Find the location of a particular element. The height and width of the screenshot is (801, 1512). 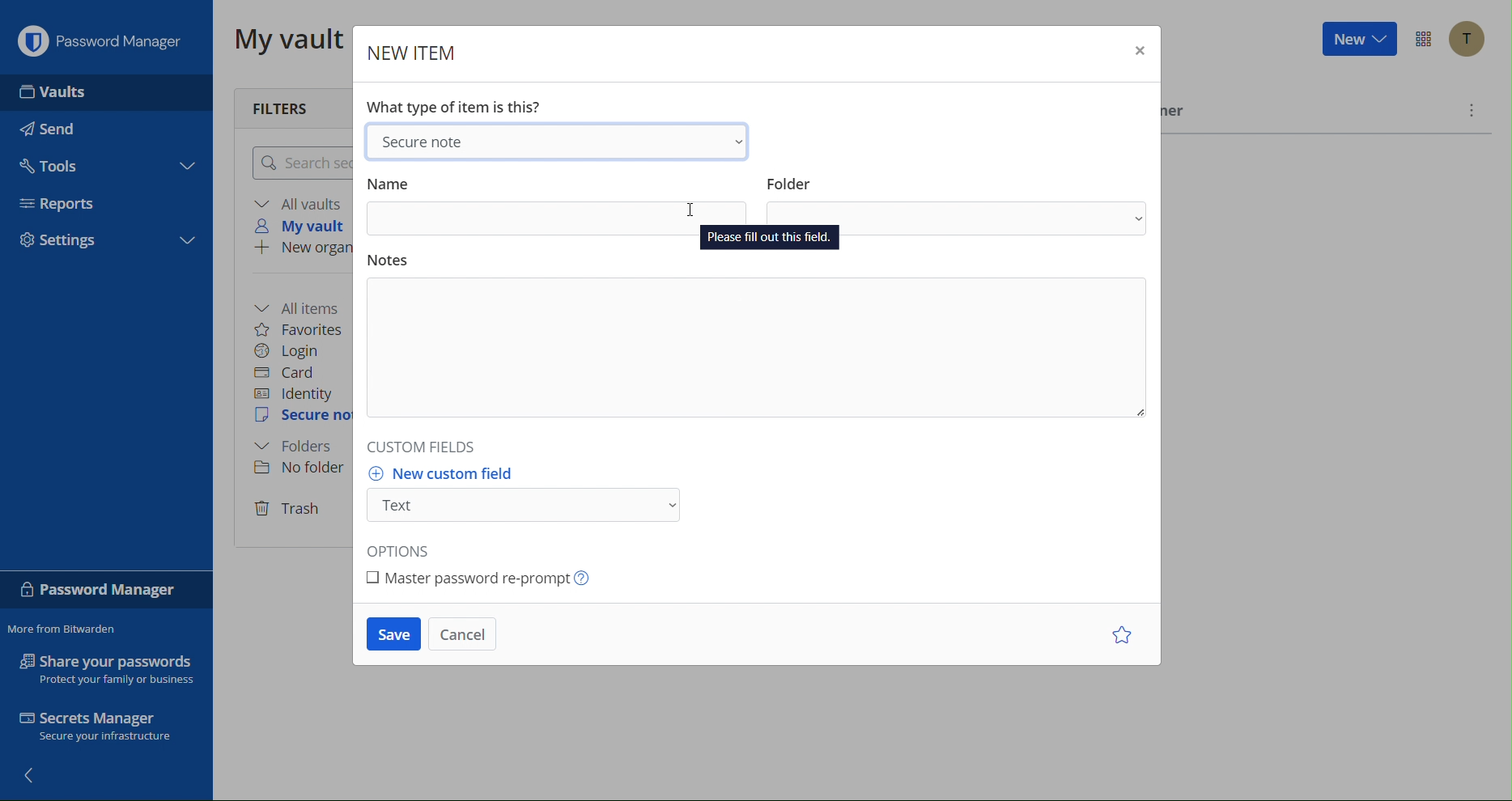

Secrets Manager is located at coordinates (109, 727).